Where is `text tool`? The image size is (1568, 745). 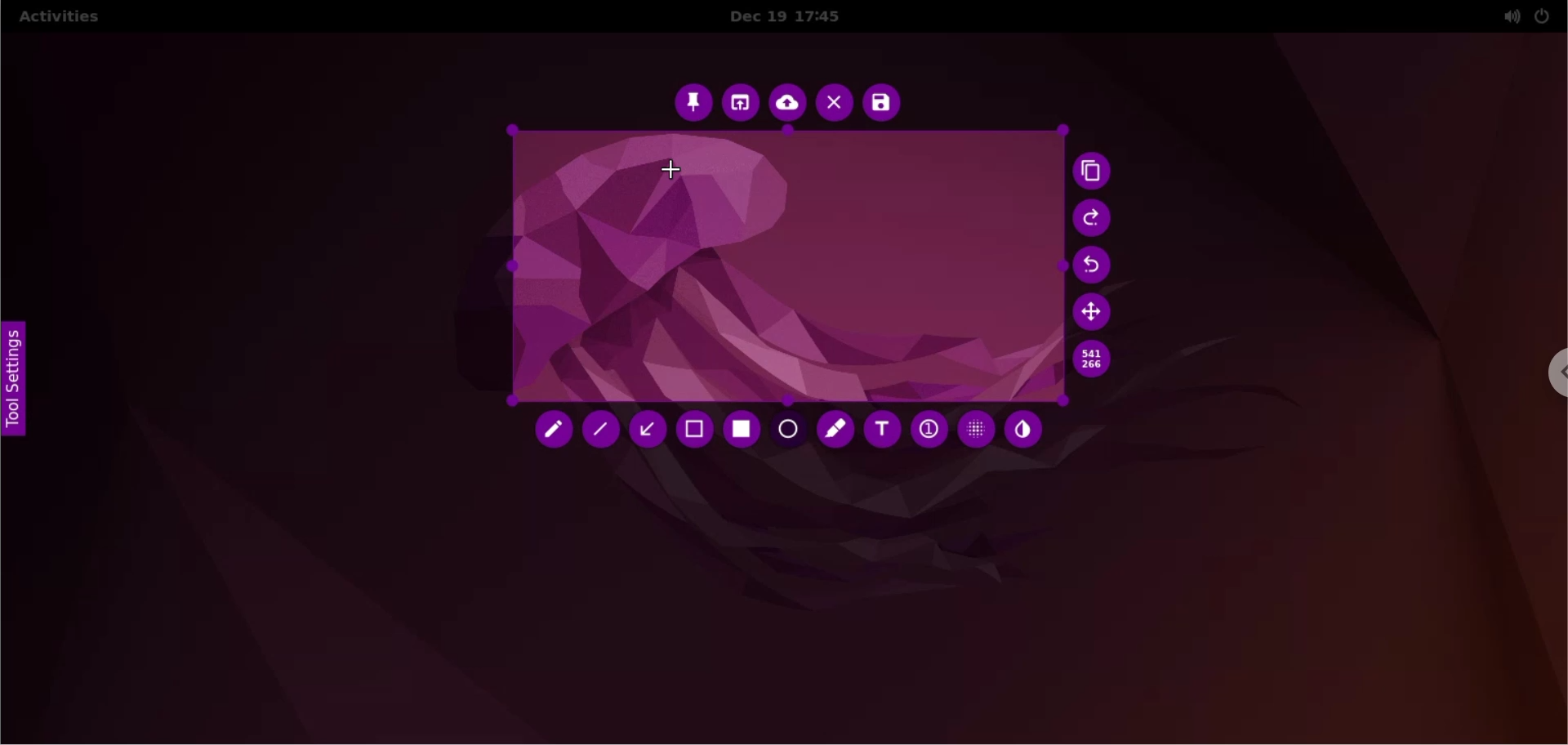 text tool is located at coordinates (881, 430).